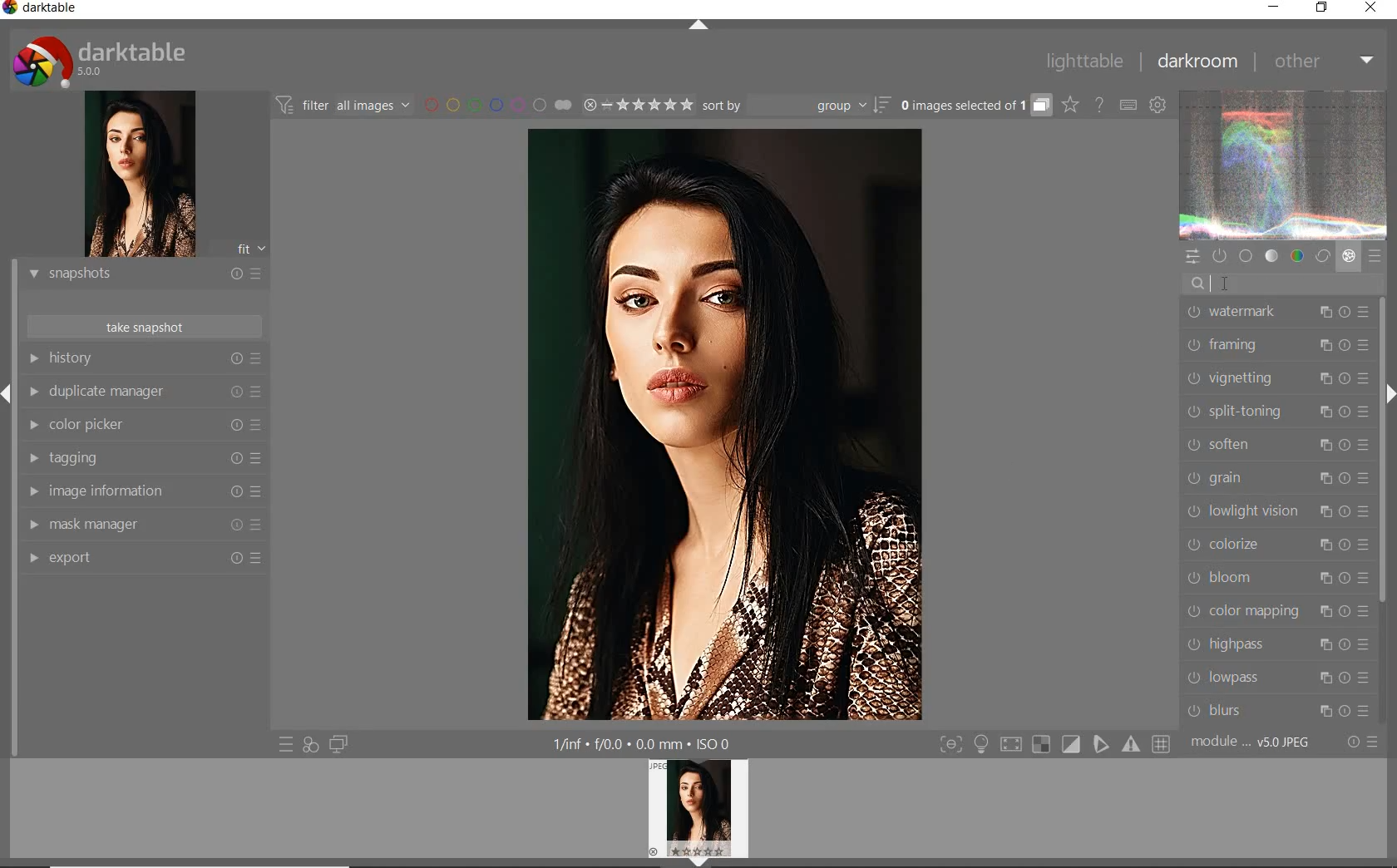 The height and width of the screenshot is (868, 1397). Describe the element at coordinates (1275, 475) in the screenshot. I see `GRAIN` at that location.